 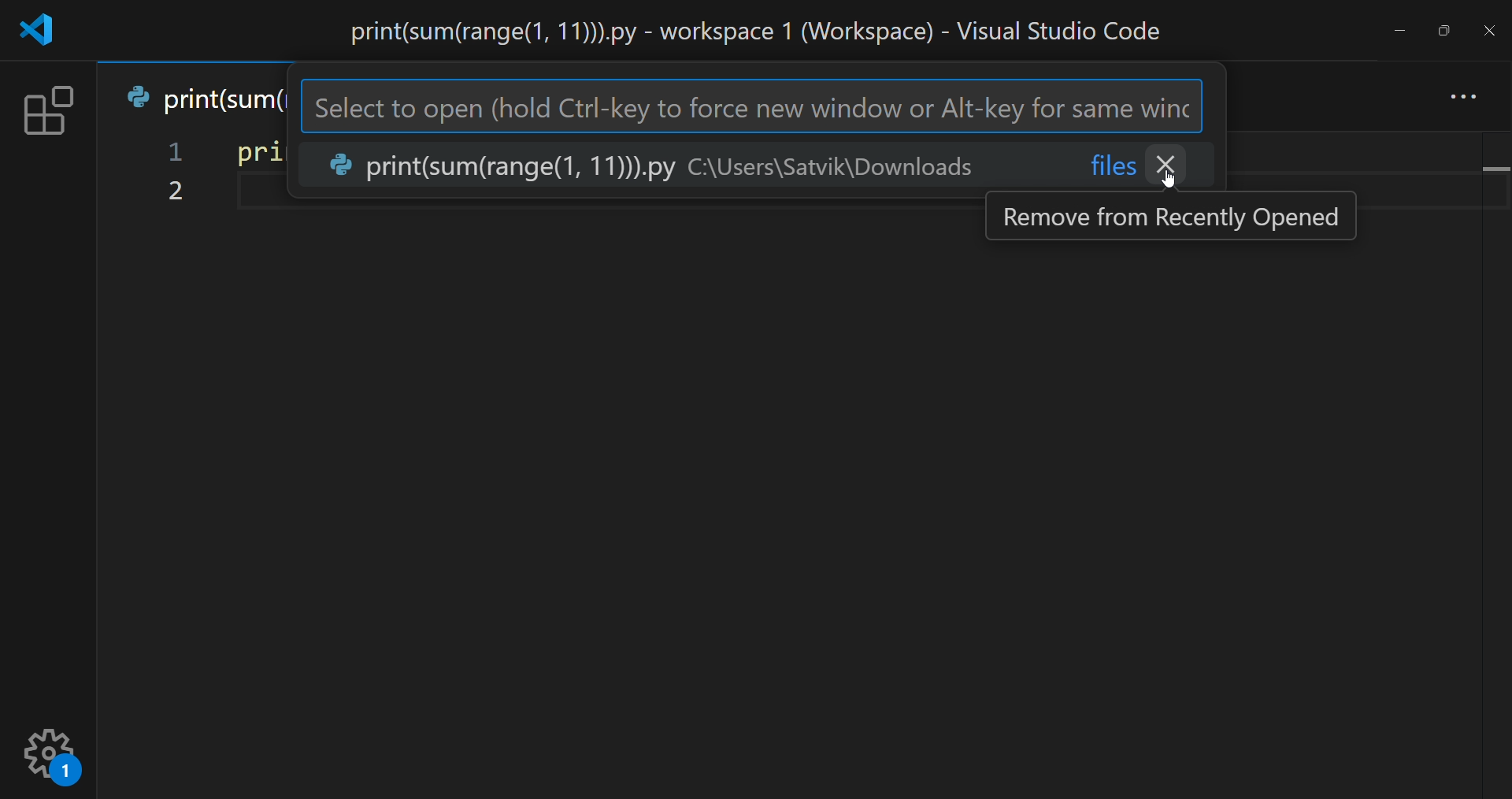 What do you see at coordinates (201, 96) in the screenshot?
I see `print(sum(` at bounding box center [201, 96].